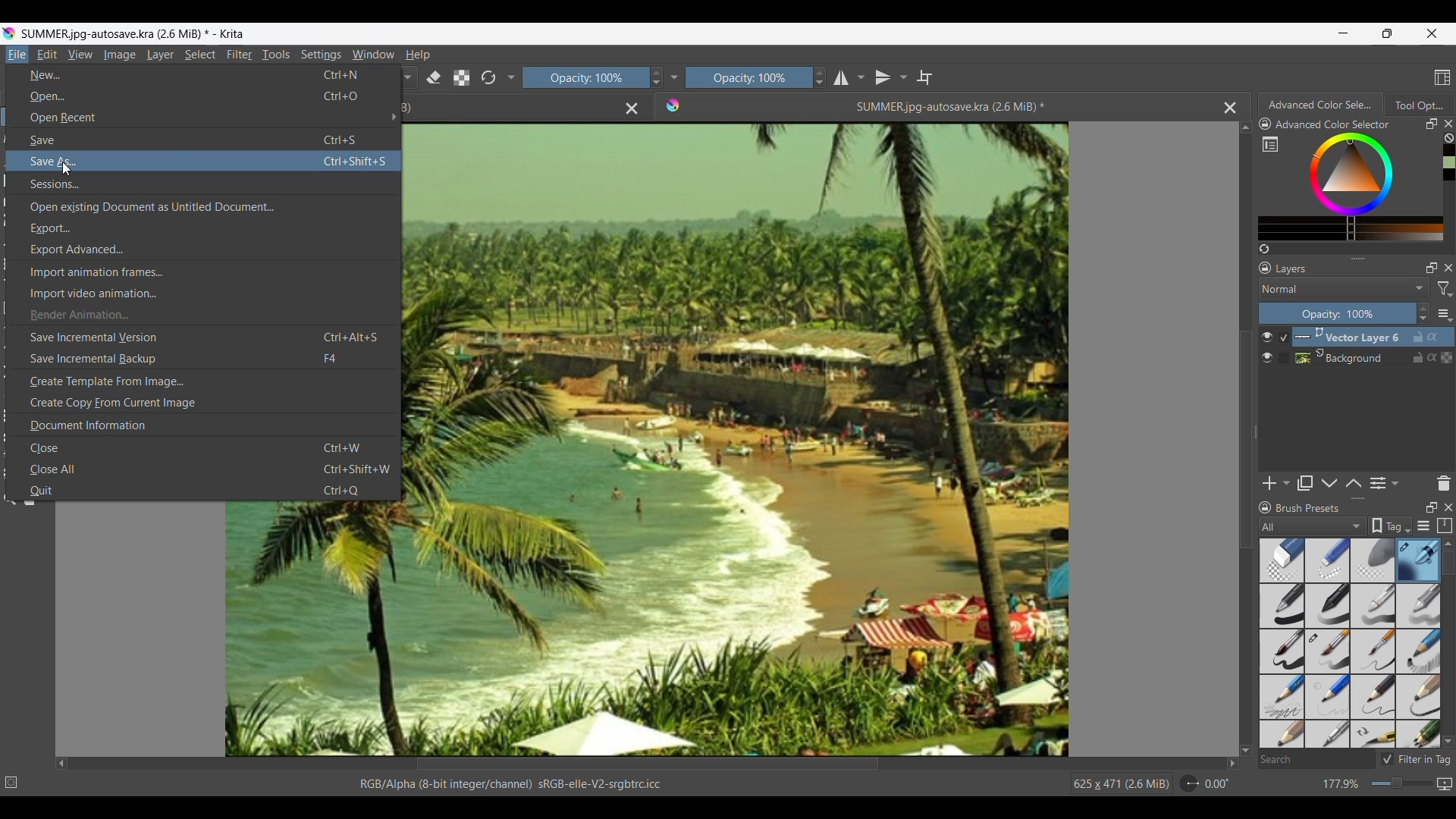 The height and width of the screenshot is (819, 1456). What do you see at coordinates (925, 77) in the screenshot?
I see `Wrap around mode` at bounding box center [925, 77].